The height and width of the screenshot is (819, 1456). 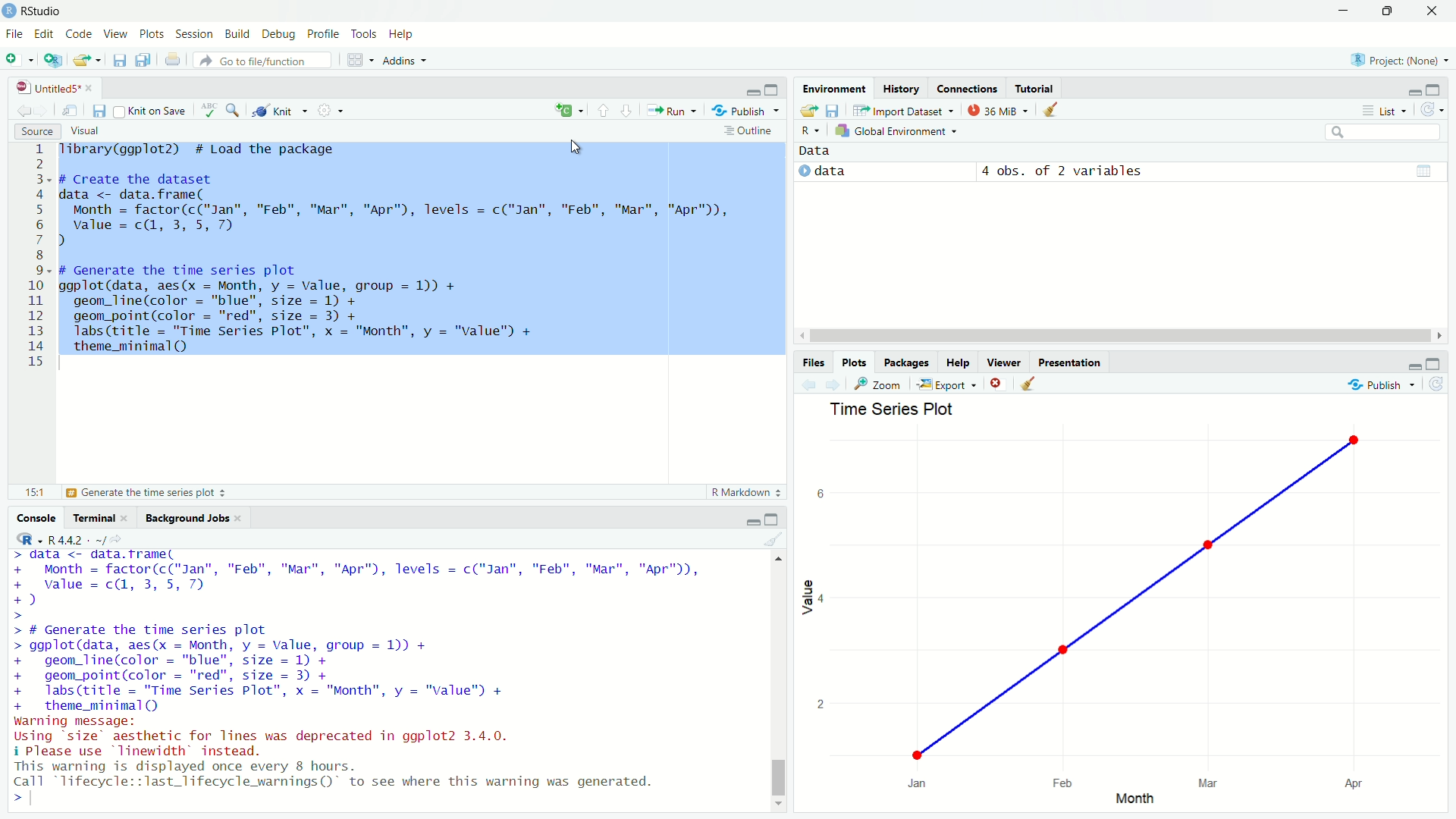 I want to click on month, so click(x=1135, y=800).